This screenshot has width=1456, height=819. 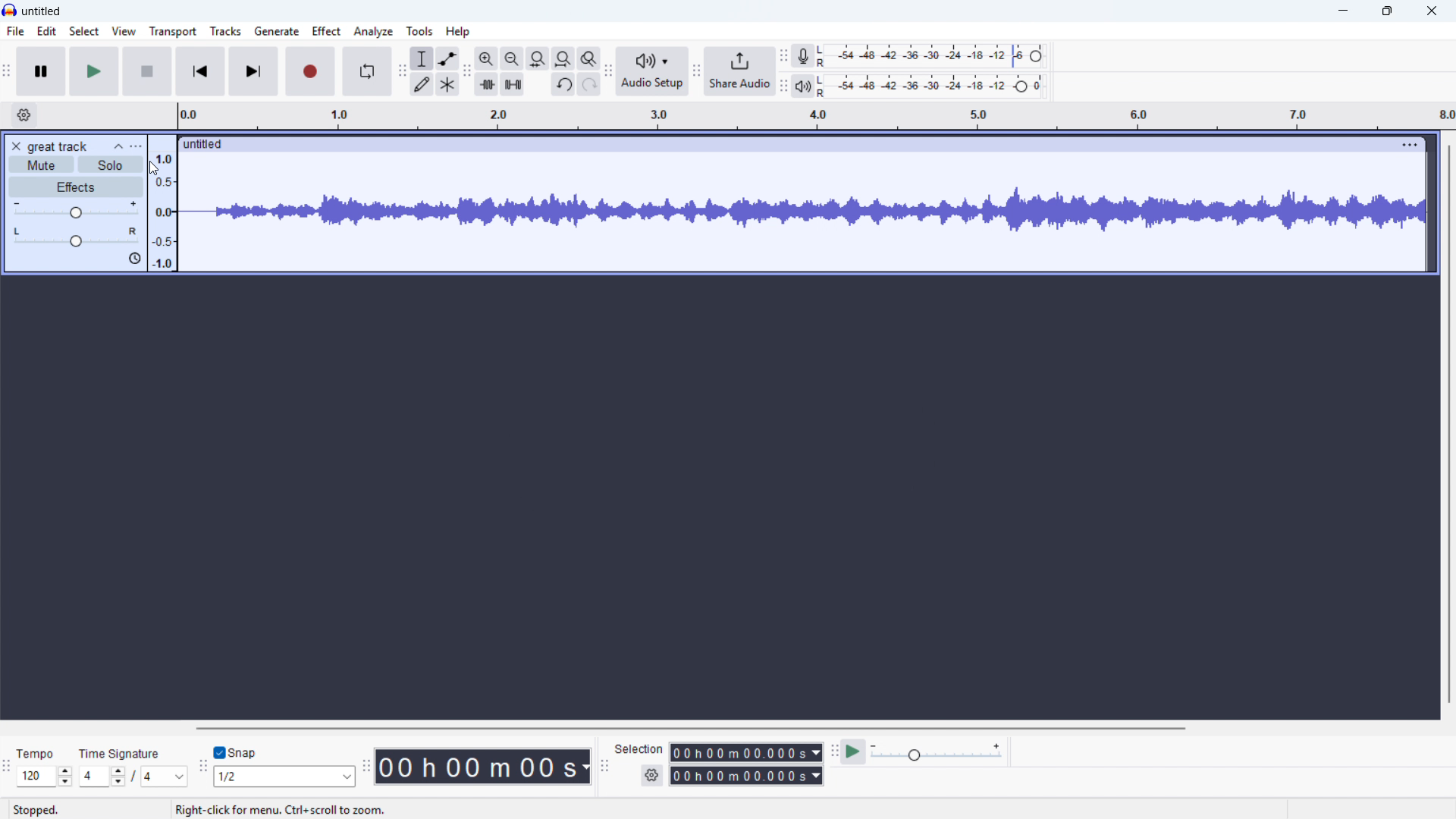 What do you see at coordinates (44, 777) in the screenshot?
I see `Set tempo ` at bounding box center [44, 777].